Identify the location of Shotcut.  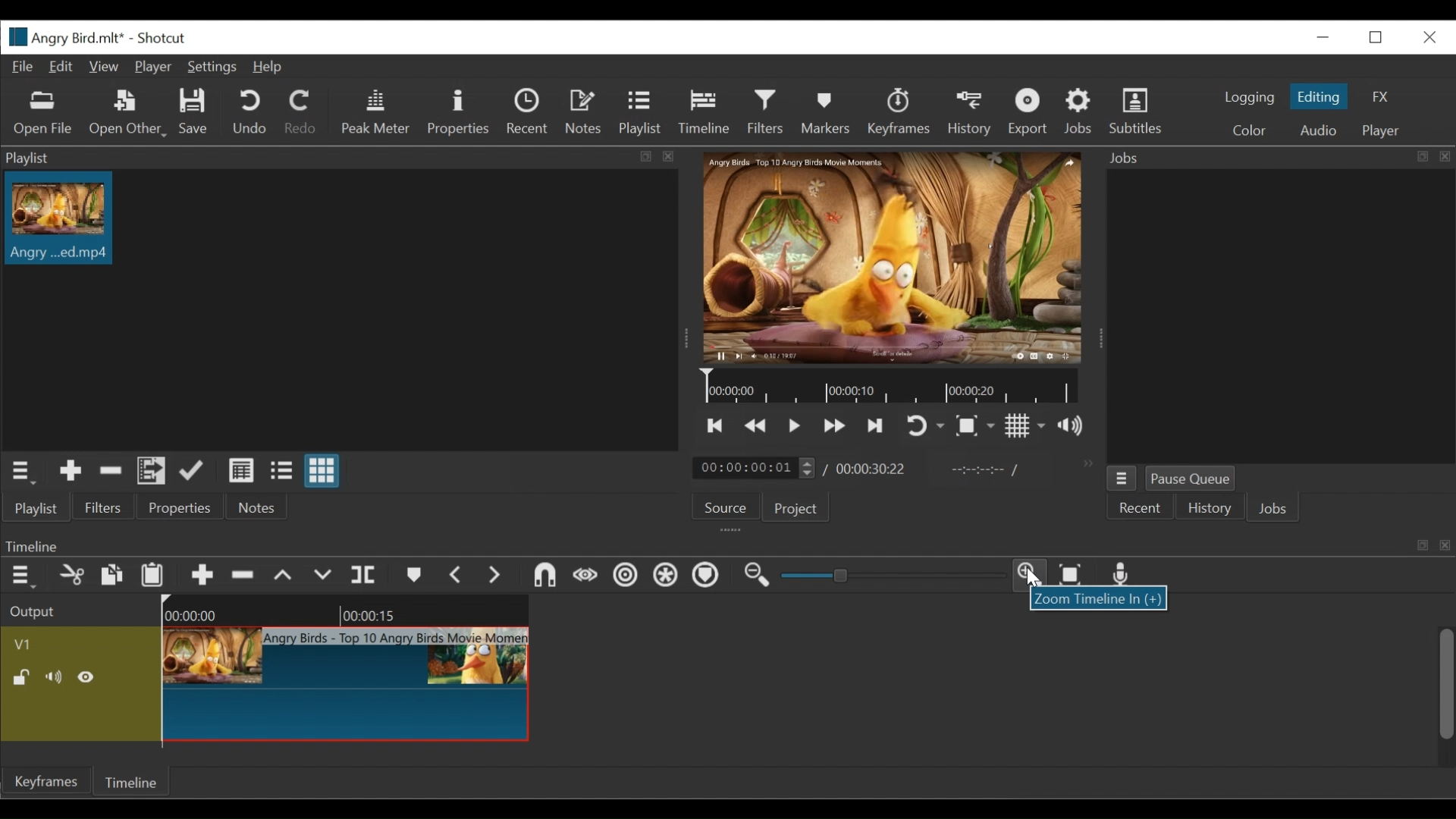
(162, 39).